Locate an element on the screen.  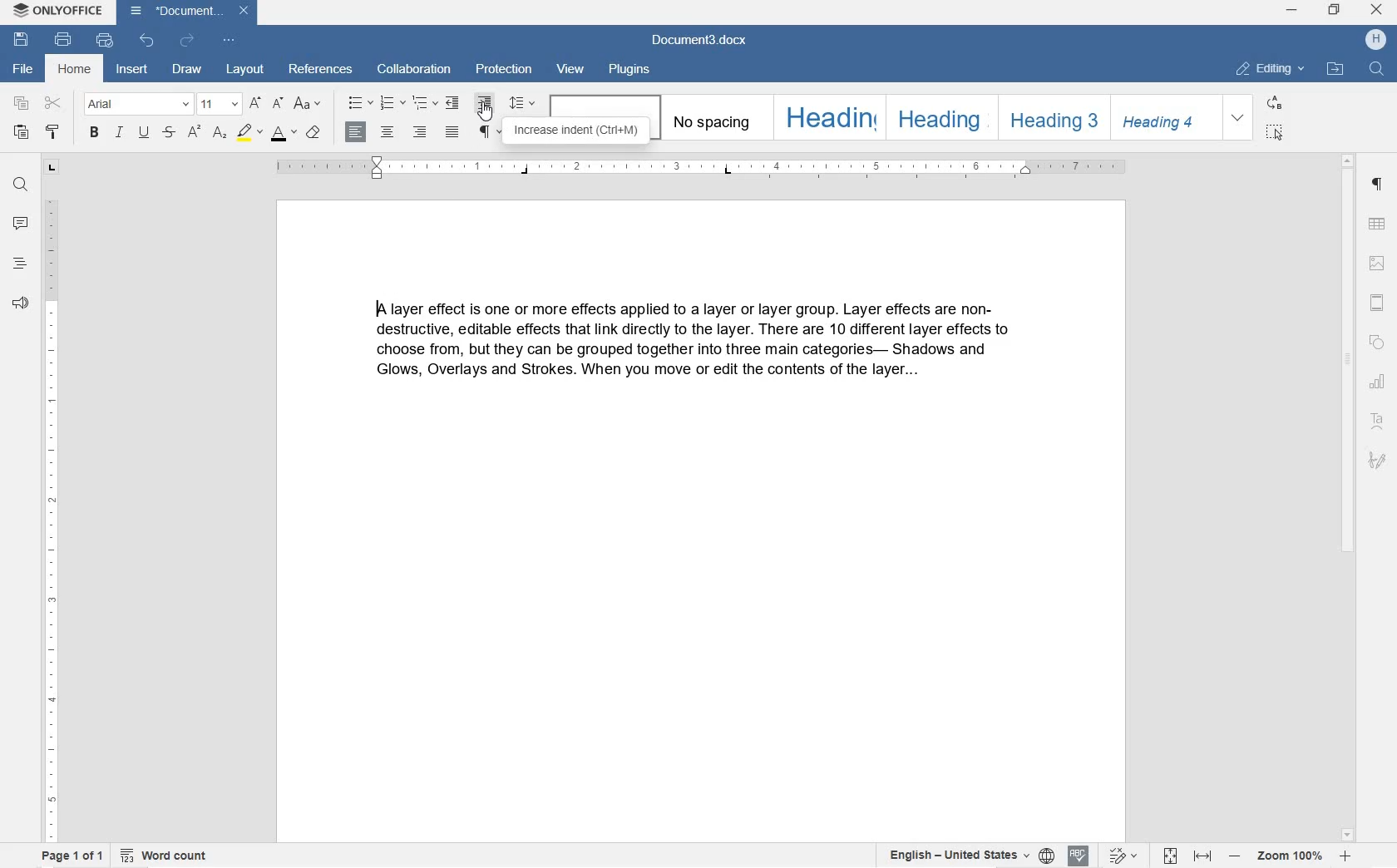
FIT TO PAGE OR WIDTH is located at coordinates (1183, 856).